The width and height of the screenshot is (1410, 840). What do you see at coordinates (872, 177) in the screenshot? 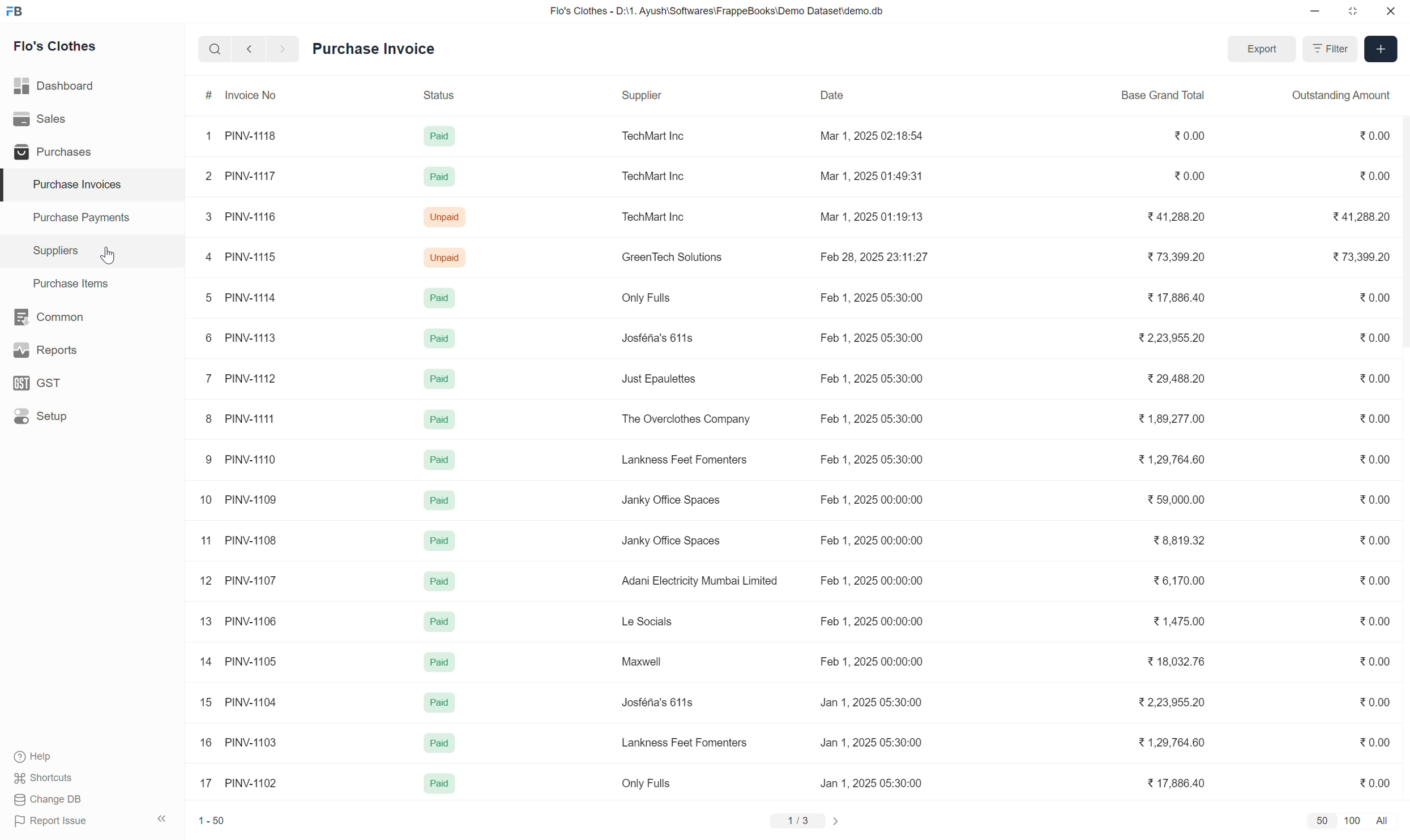
I see `Mar 1, 2025 01:49:31` at bounding box center [872, 177].